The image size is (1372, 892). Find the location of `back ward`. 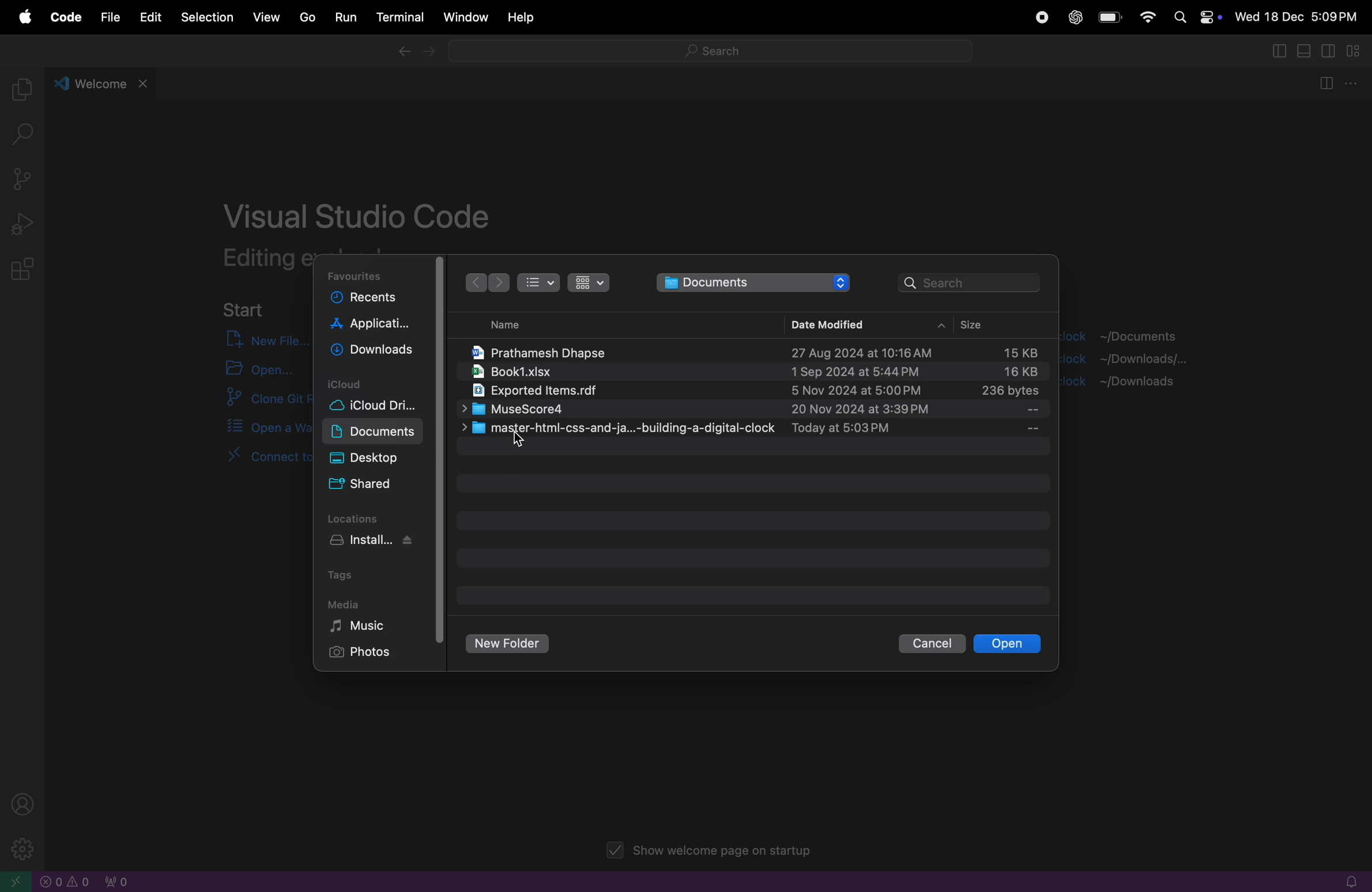

back ward is located at coordinates (474, 282).